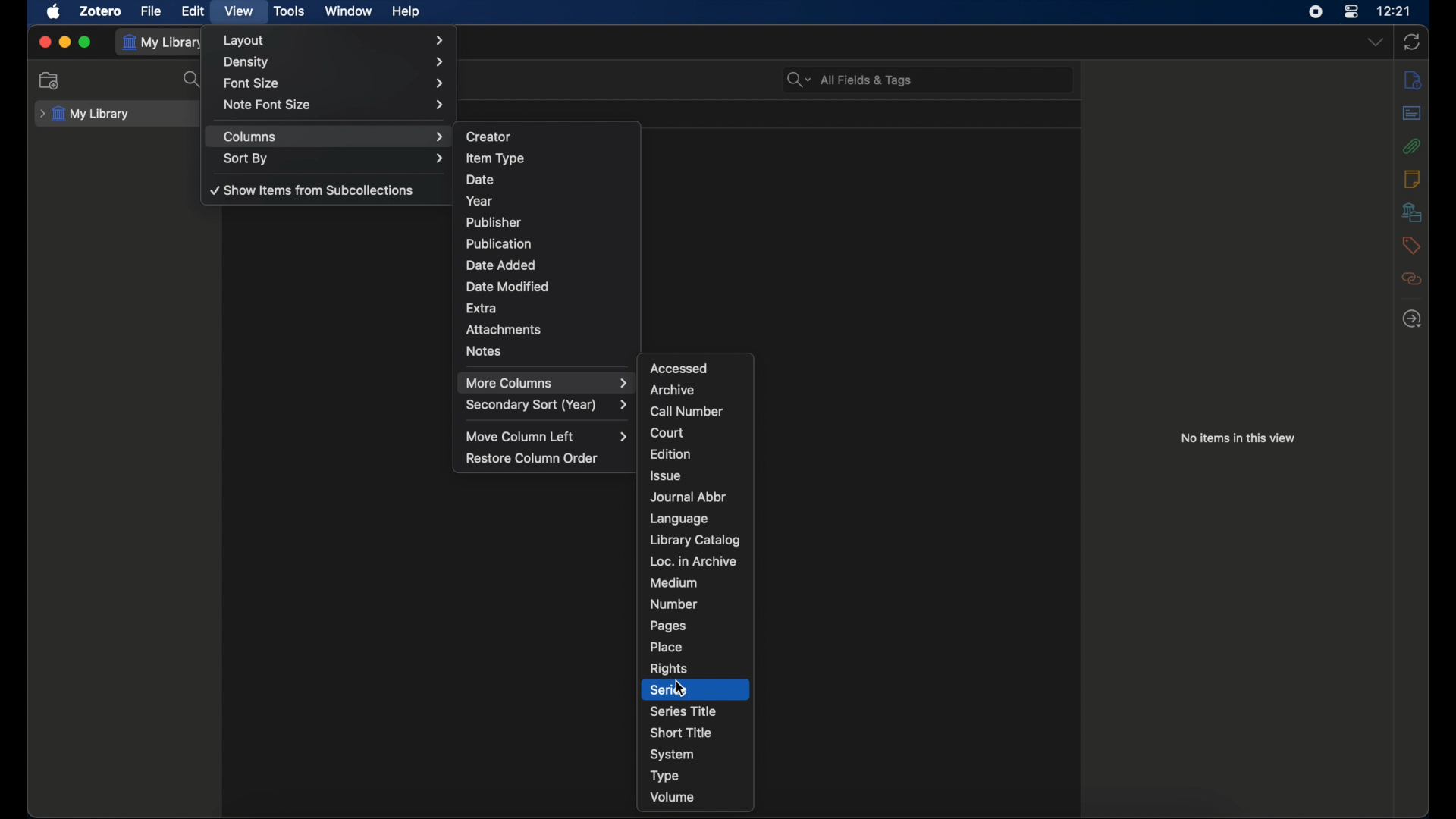  What do you see at coordinates (668, 433) in the screenshot?
I see `court` at bounding box center [668, 433].